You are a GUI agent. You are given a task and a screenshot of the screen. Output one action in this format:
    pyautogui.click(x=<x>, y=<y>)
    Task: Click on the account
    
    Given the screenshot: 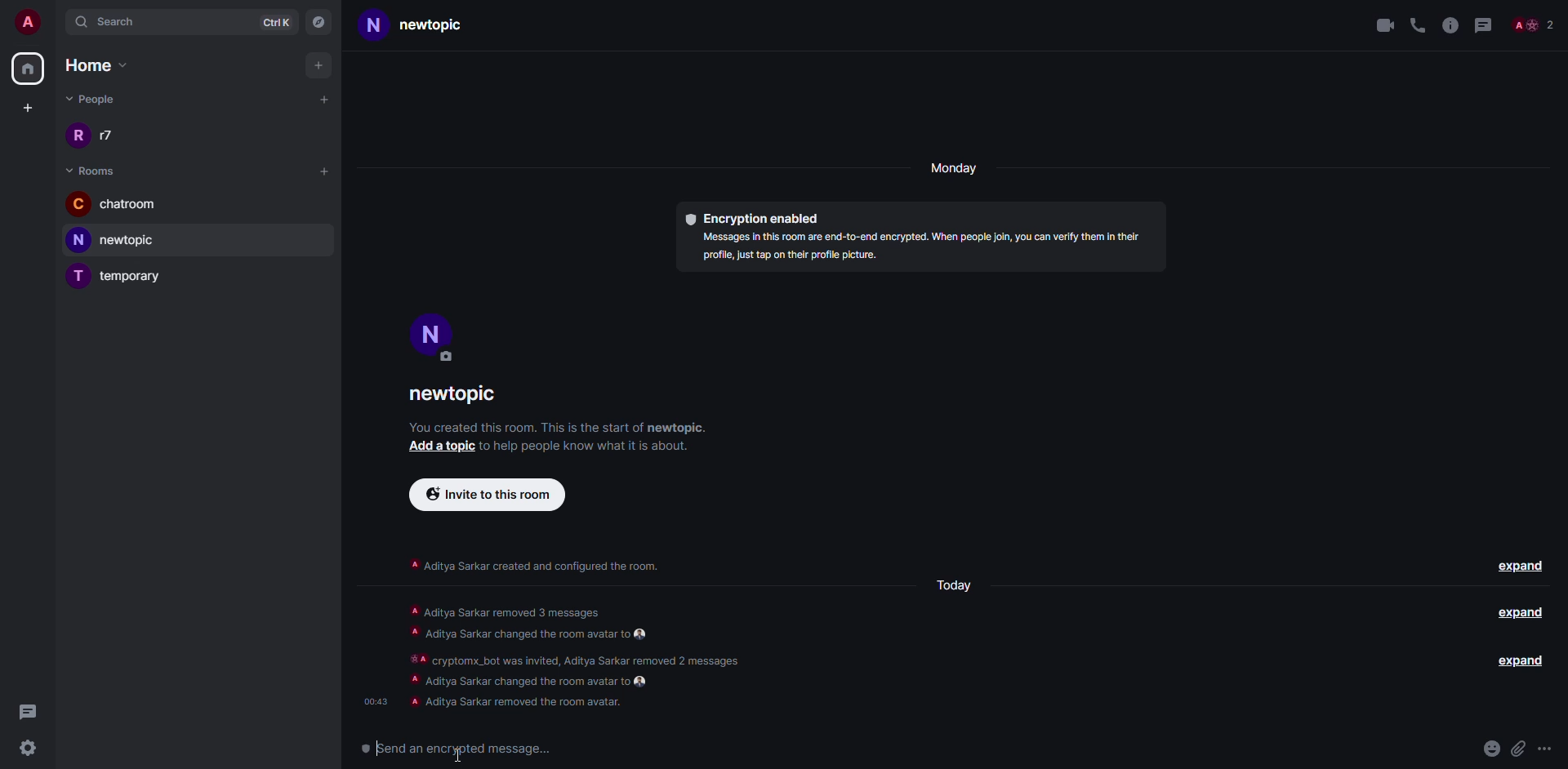 What is the action you would take?
    pyautogui.click(x=29, y=20)
    